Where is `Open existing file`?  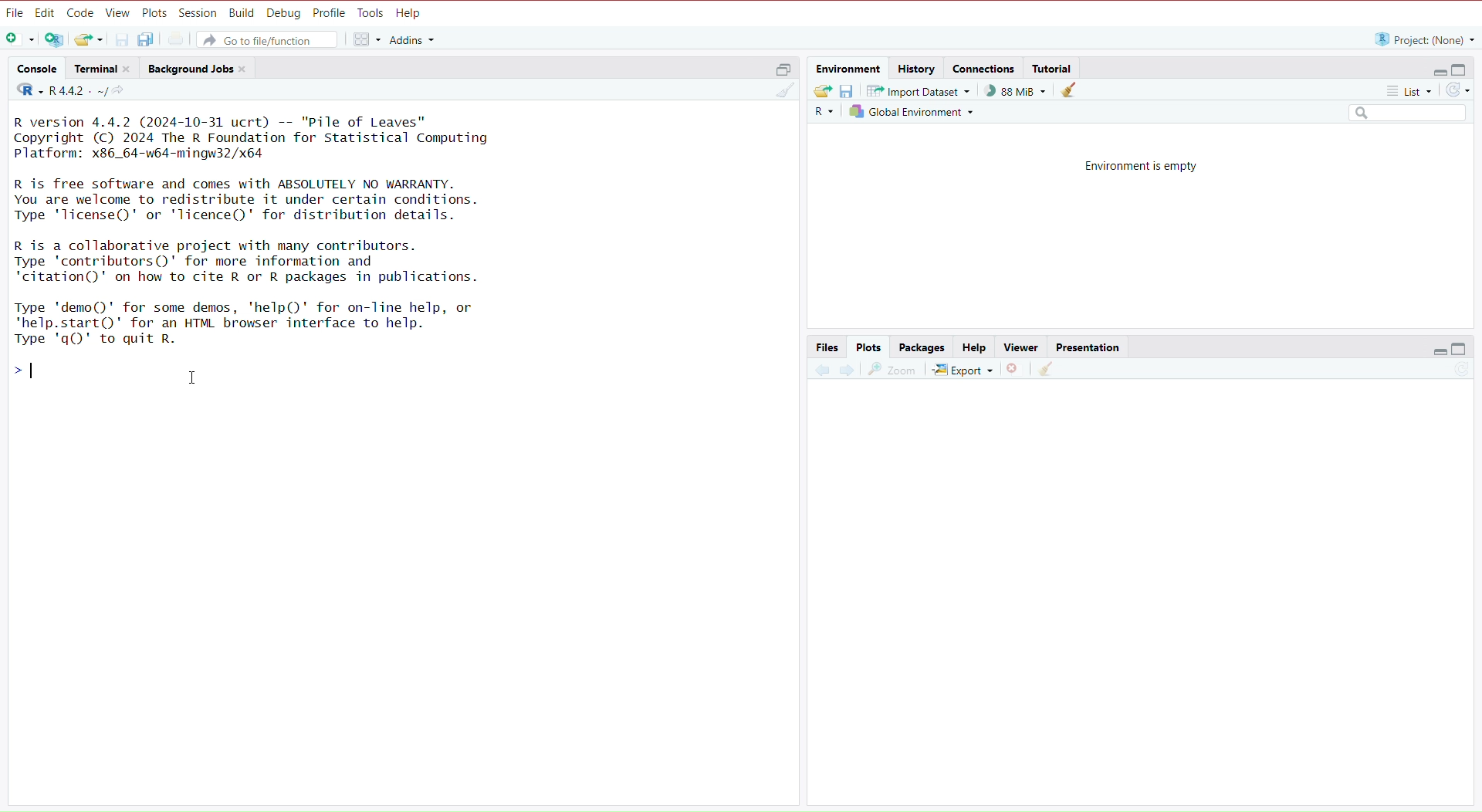
Open existing file is located at coordinates (88, 39).